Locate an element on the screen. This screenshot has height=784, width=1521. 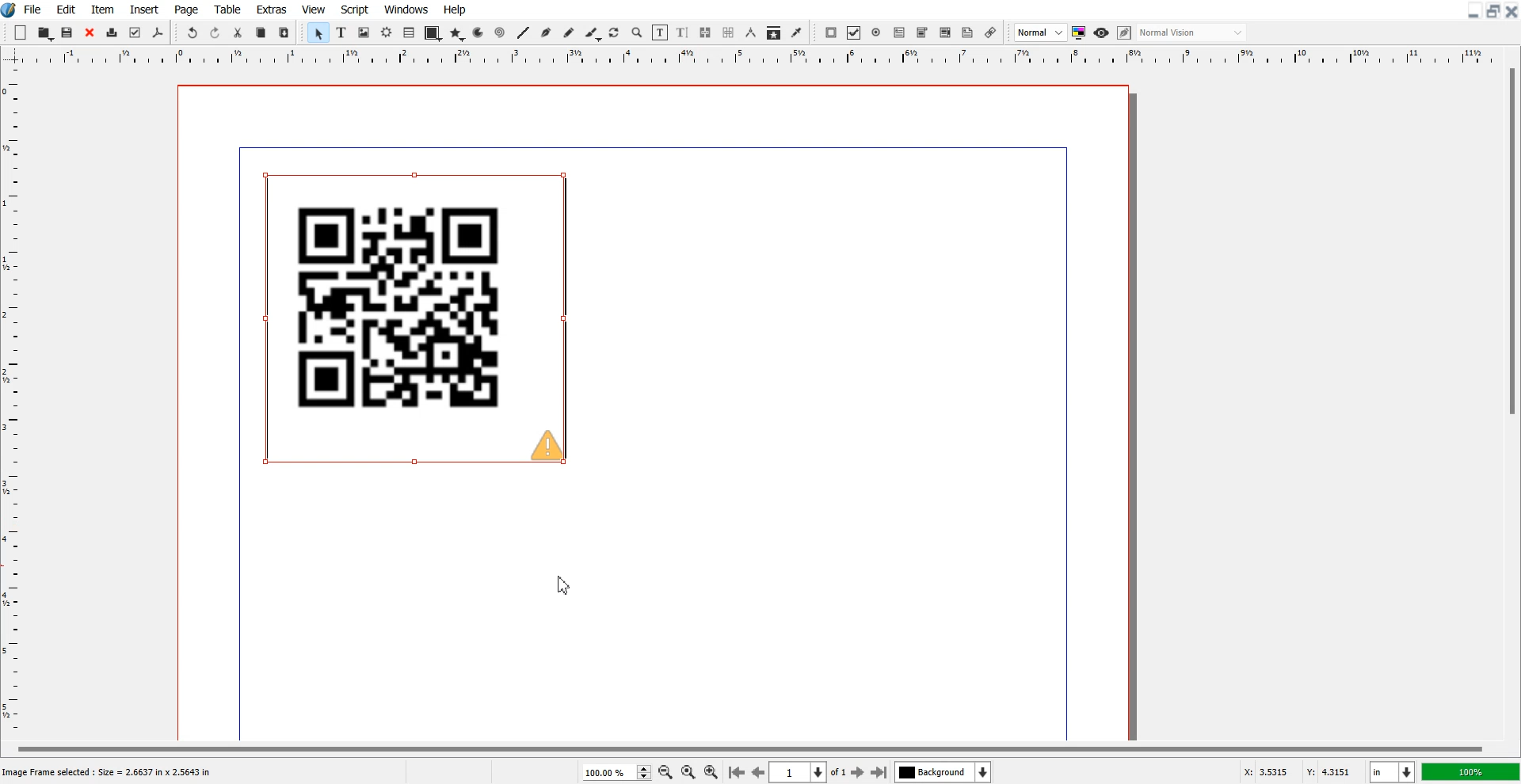
Shape is located at coordinates (432, 34).